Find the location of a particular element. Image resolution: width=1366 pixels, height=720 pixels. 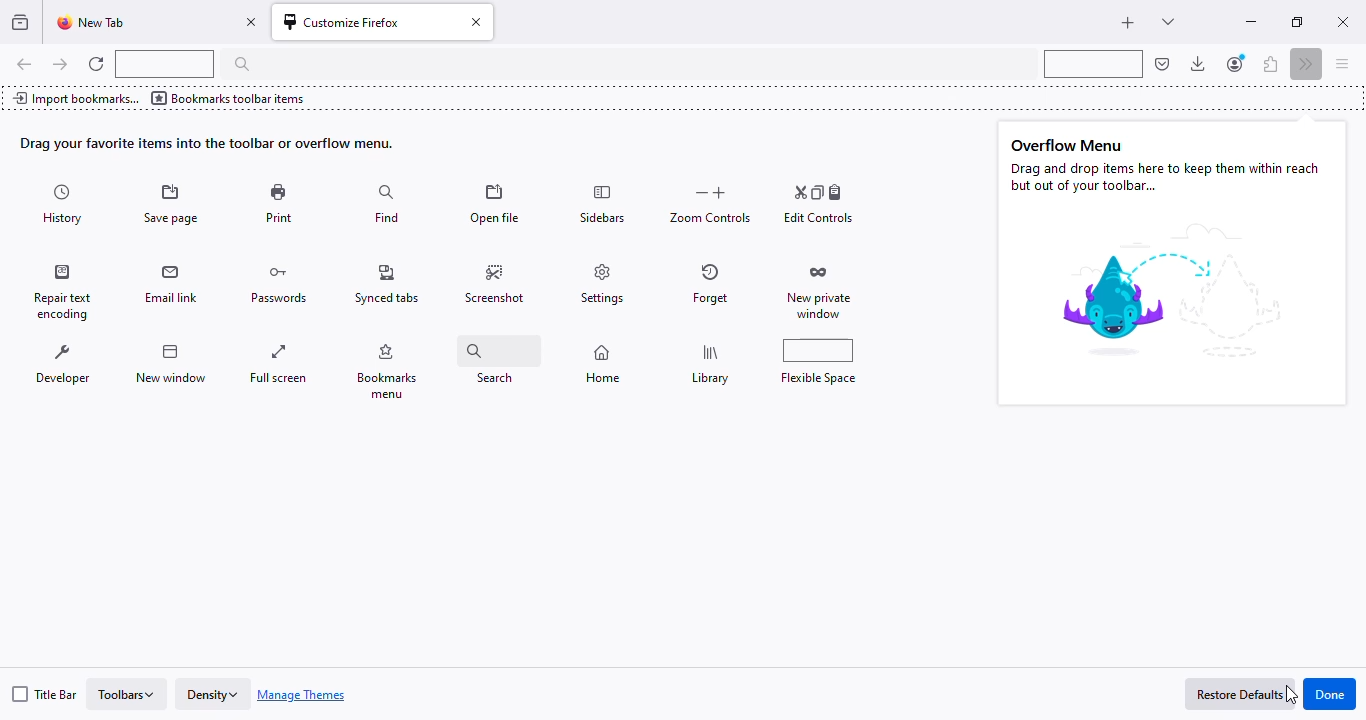

find is located at coordinates (386, 204).